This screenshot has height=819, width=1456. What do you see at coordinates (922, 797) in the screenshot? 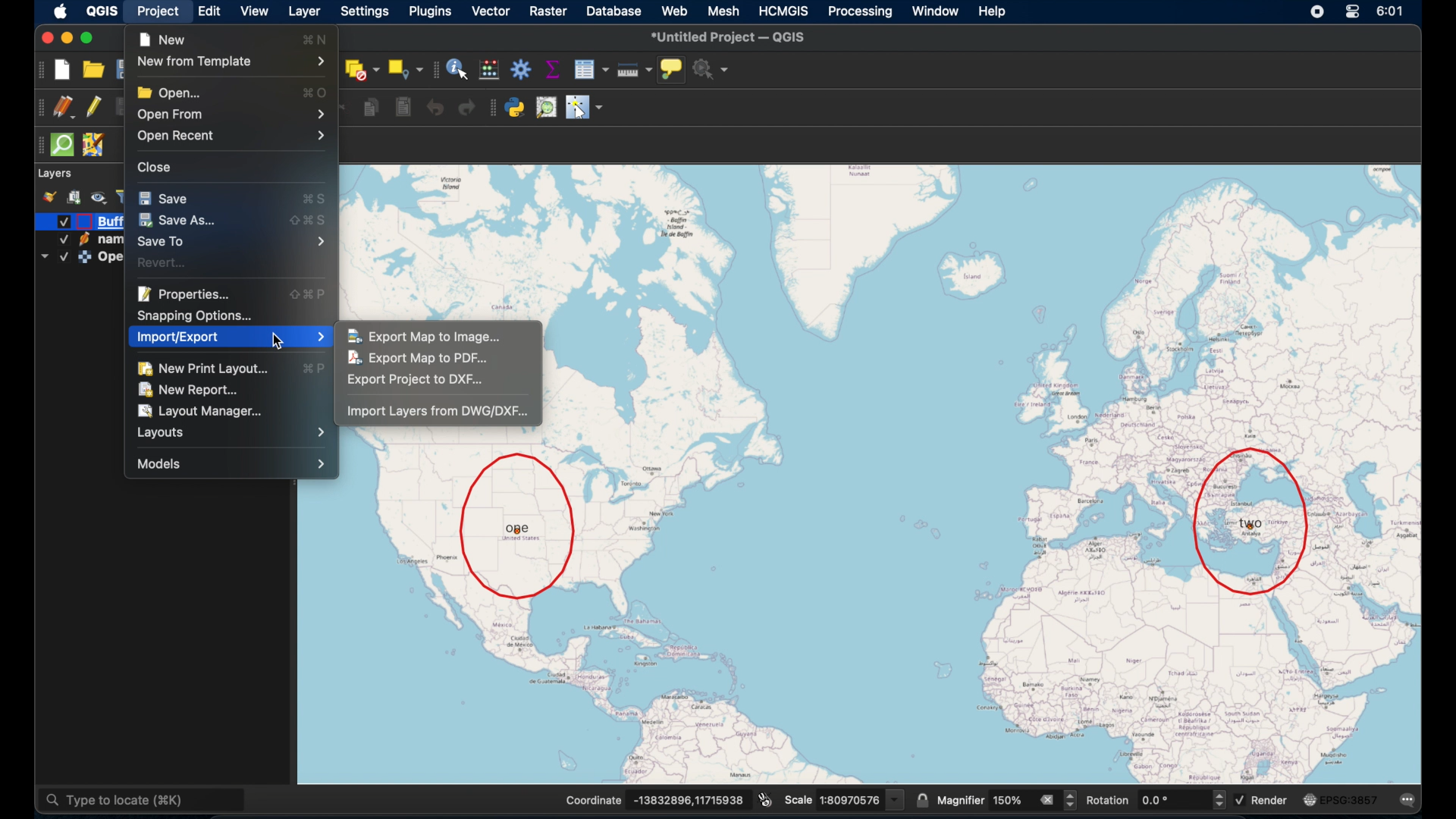
I see `lock scale` at bounding box center [922, 797].